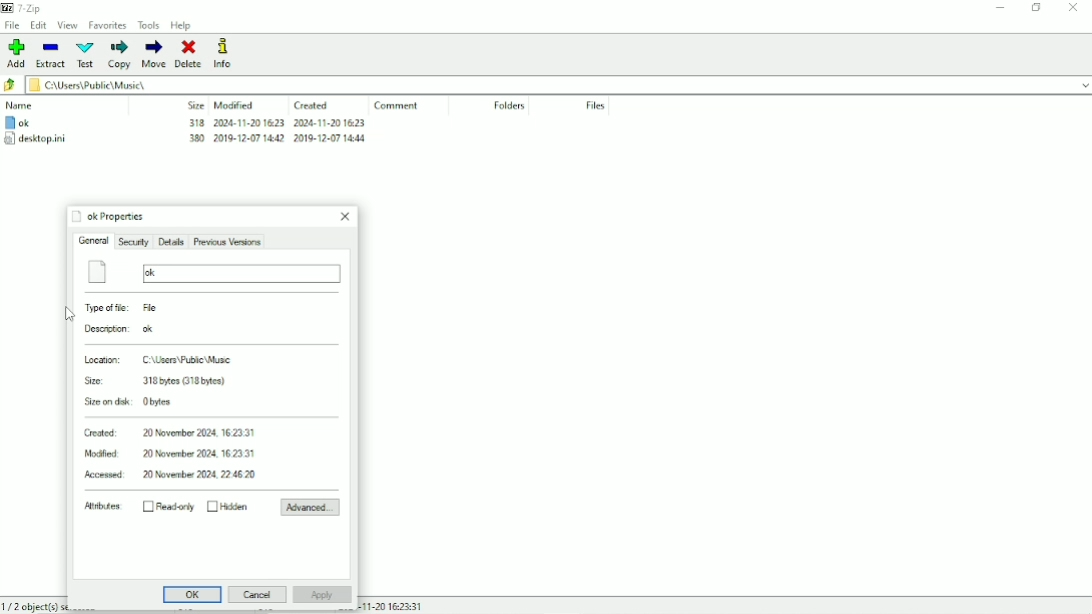 The width and height of the screenshot is (1092, 614). I want to click on Favorites, so click(108, 24).